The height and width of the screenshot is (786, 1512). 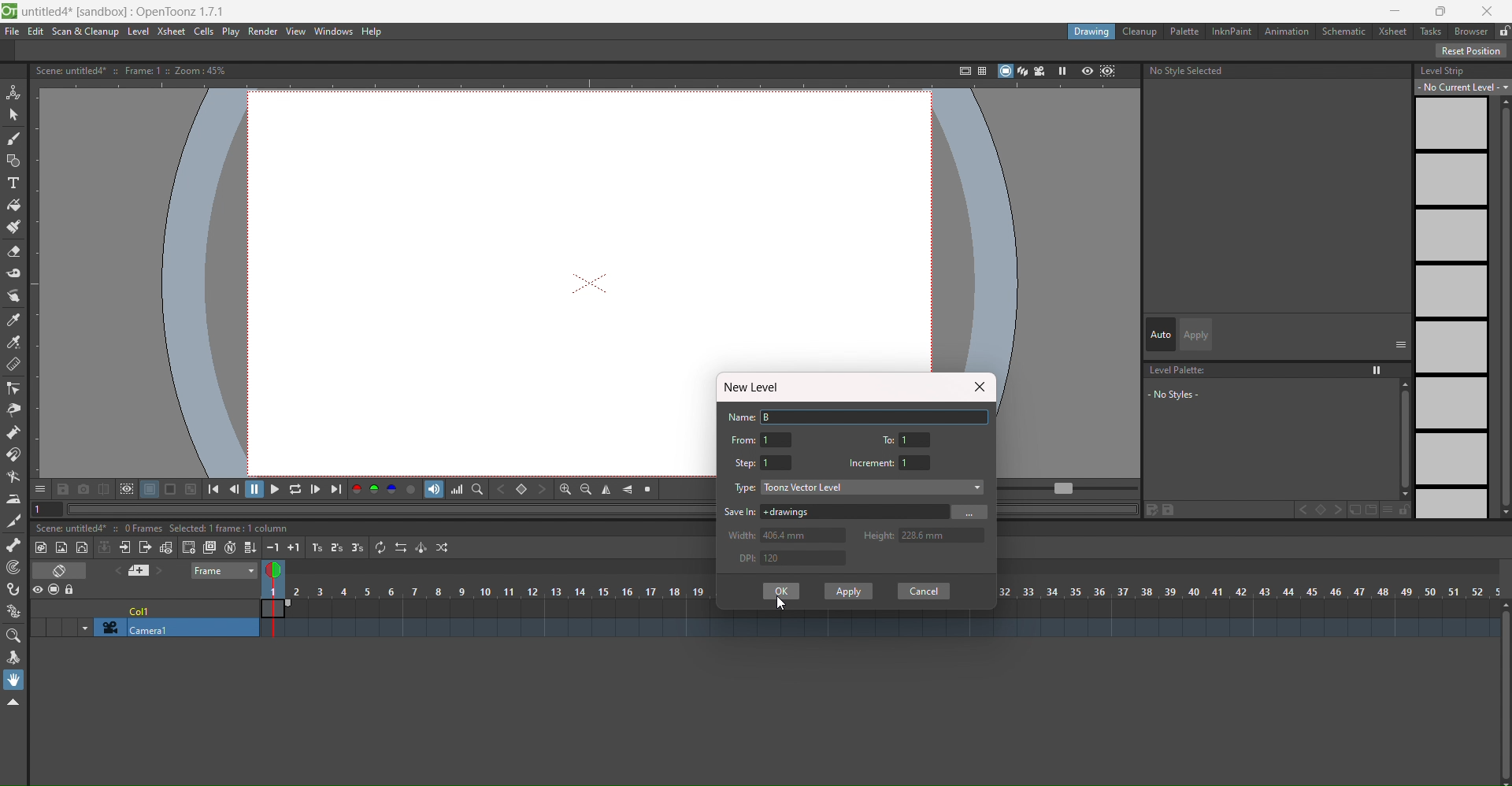 What do you see at coordinates (1092, 33) in the screenshot?
I see `drawing` at bounding box center [1092, 33].